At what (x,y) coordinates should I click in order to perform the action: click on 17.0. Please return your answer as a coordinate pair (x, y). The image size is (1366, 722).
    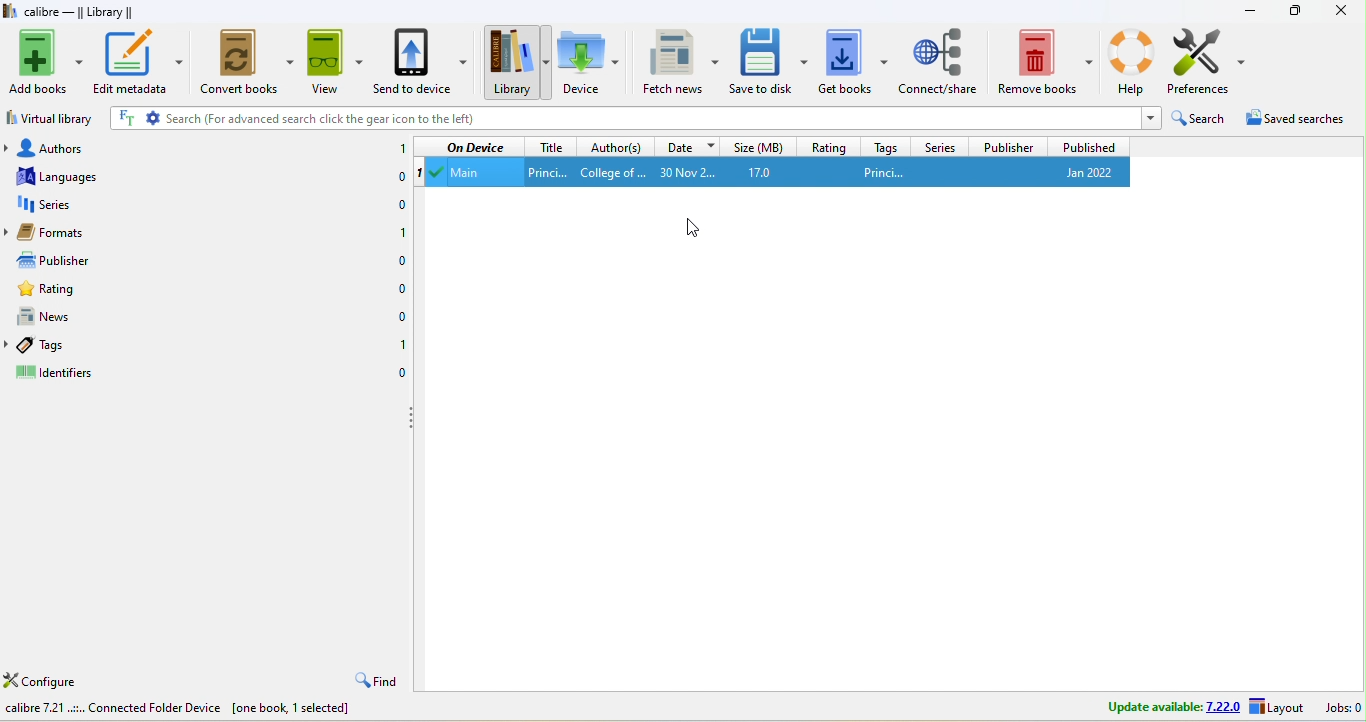
    Looking at the image, I should click on (773, 172).